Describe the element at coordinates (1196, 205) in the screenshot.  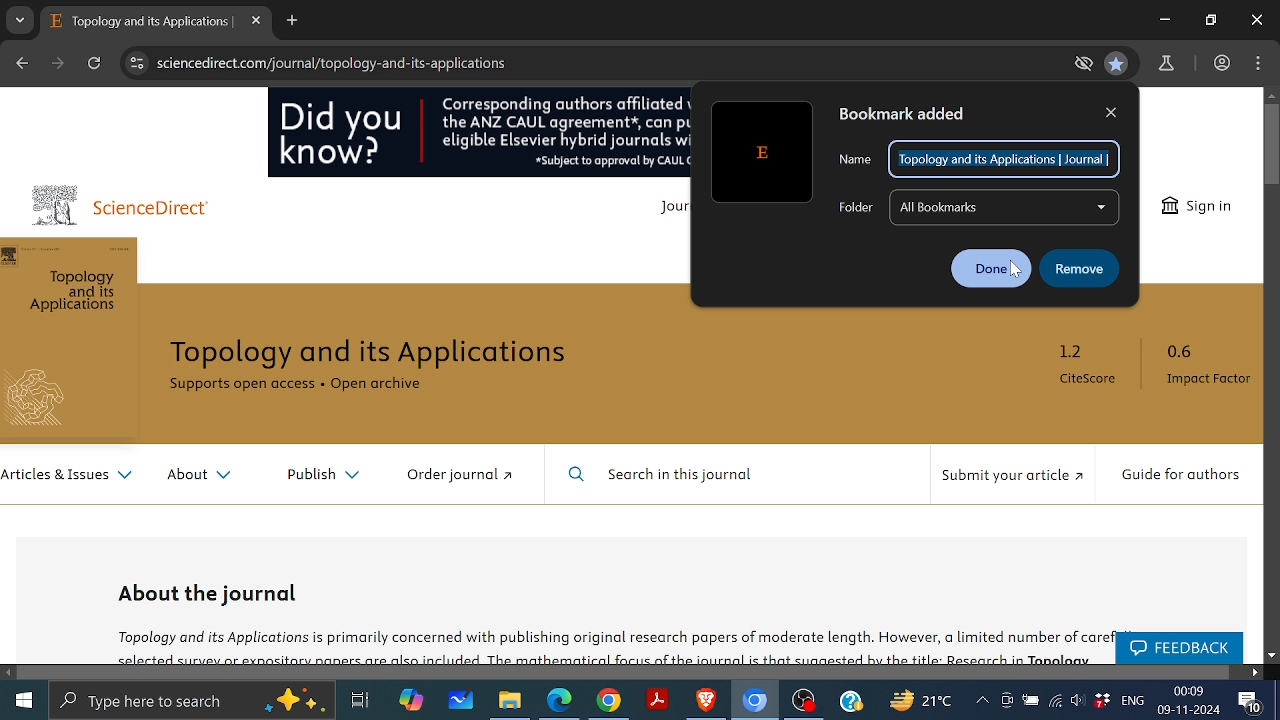
I see `sign in` at that location.